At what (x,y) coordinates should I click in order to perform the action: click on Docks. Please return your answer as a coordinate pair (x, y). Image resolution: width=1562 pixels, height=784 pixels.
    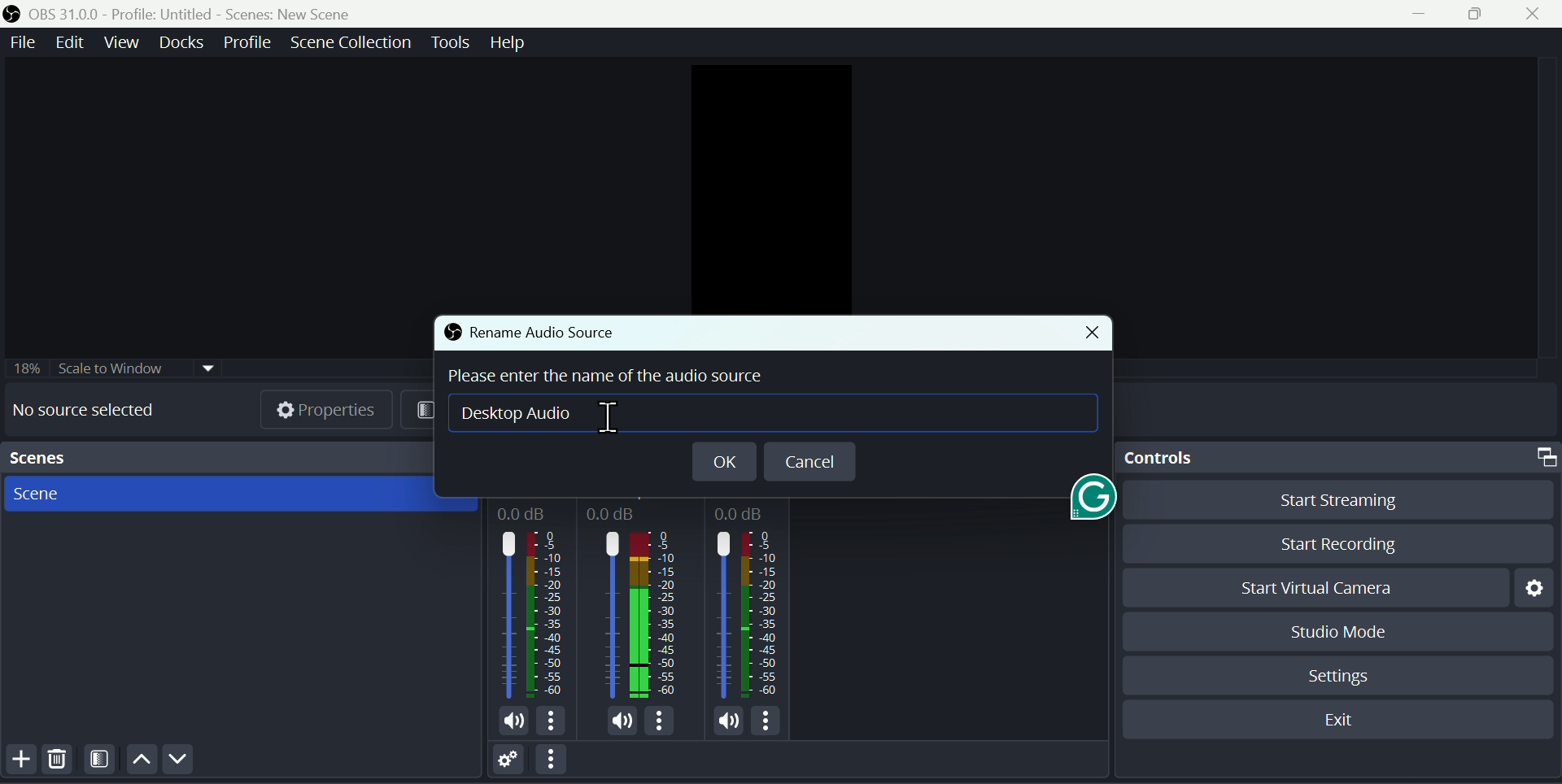
    Looking at the image, I should click on (179, 41).